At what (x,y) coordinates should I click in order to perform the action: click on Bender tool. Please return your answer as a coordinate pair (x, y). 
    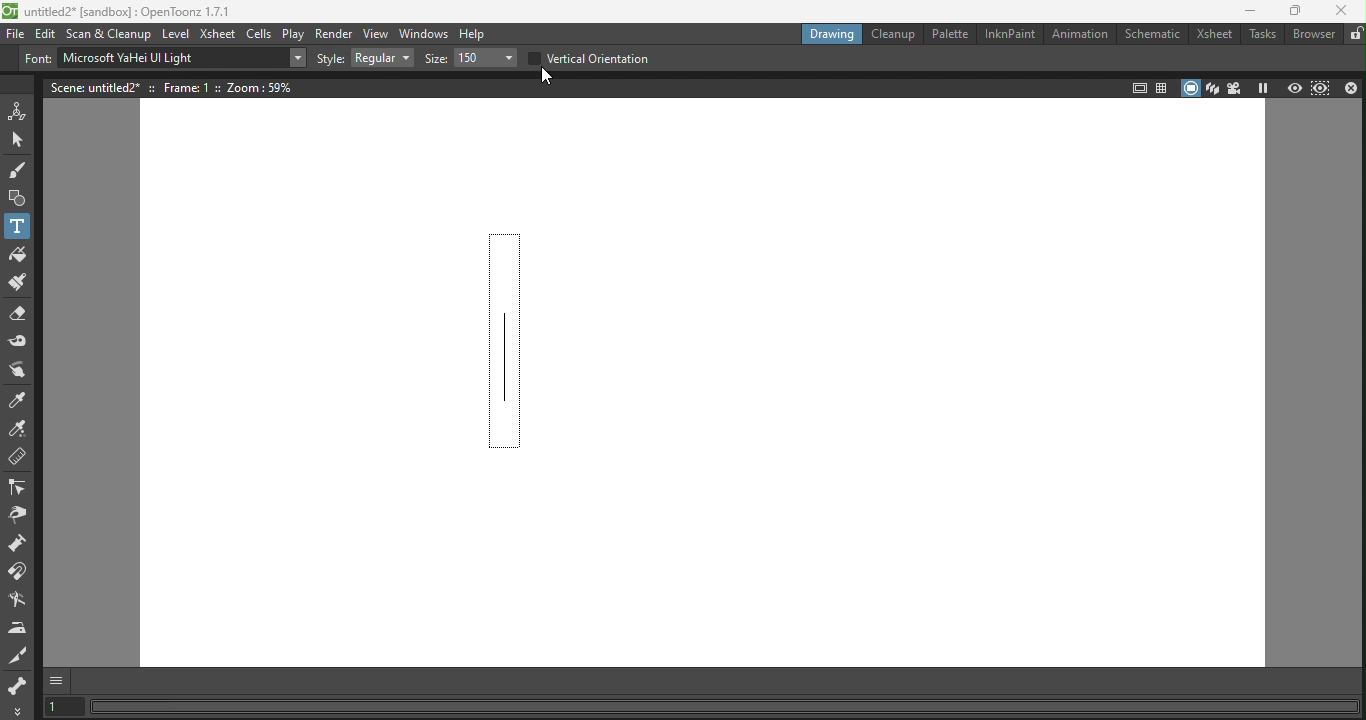
    Looking at the image, I should click on (18, 598).